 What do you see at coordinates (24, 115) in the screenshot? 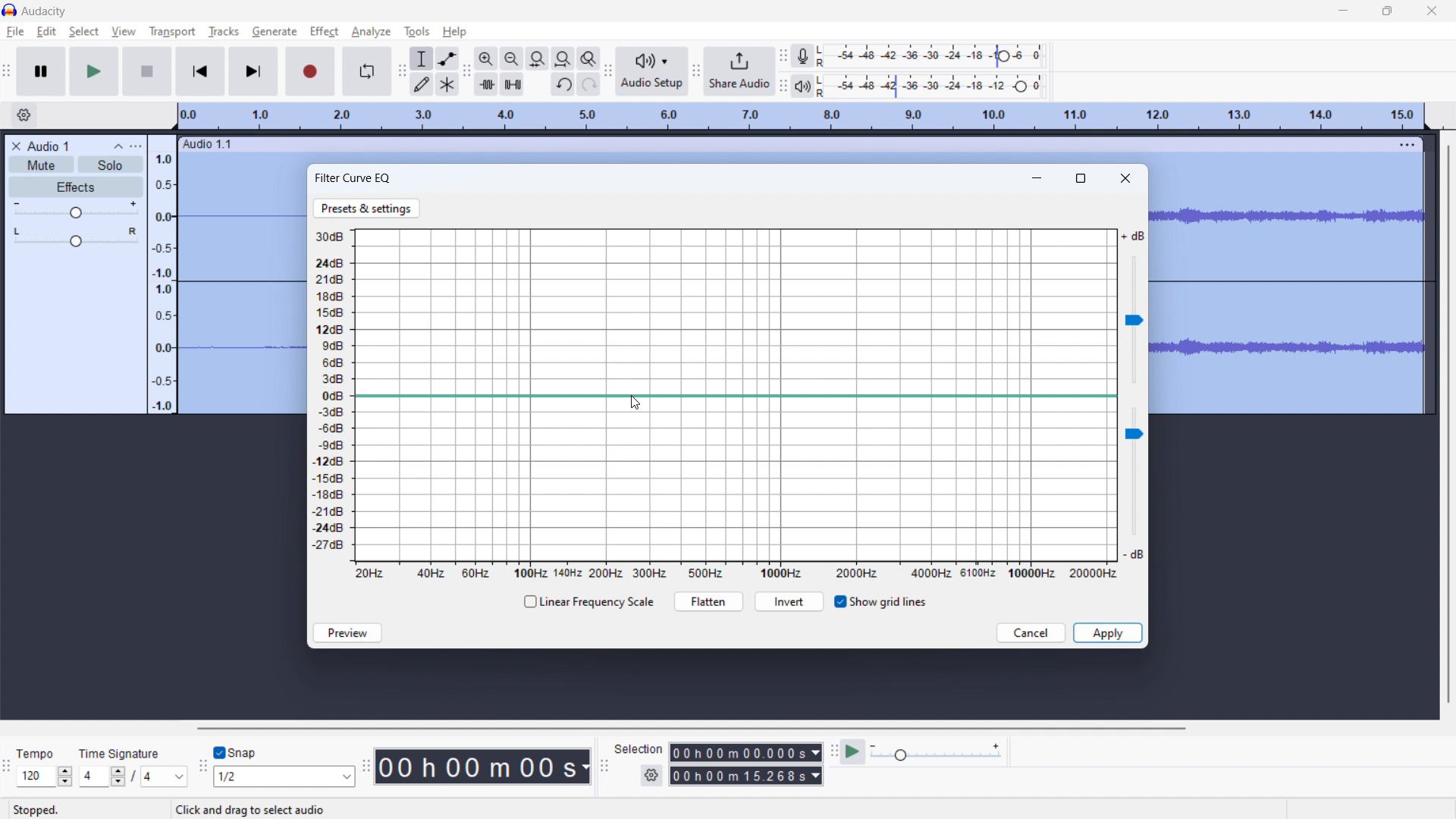
I see `timeline settings` at bounding box center [24, 115].